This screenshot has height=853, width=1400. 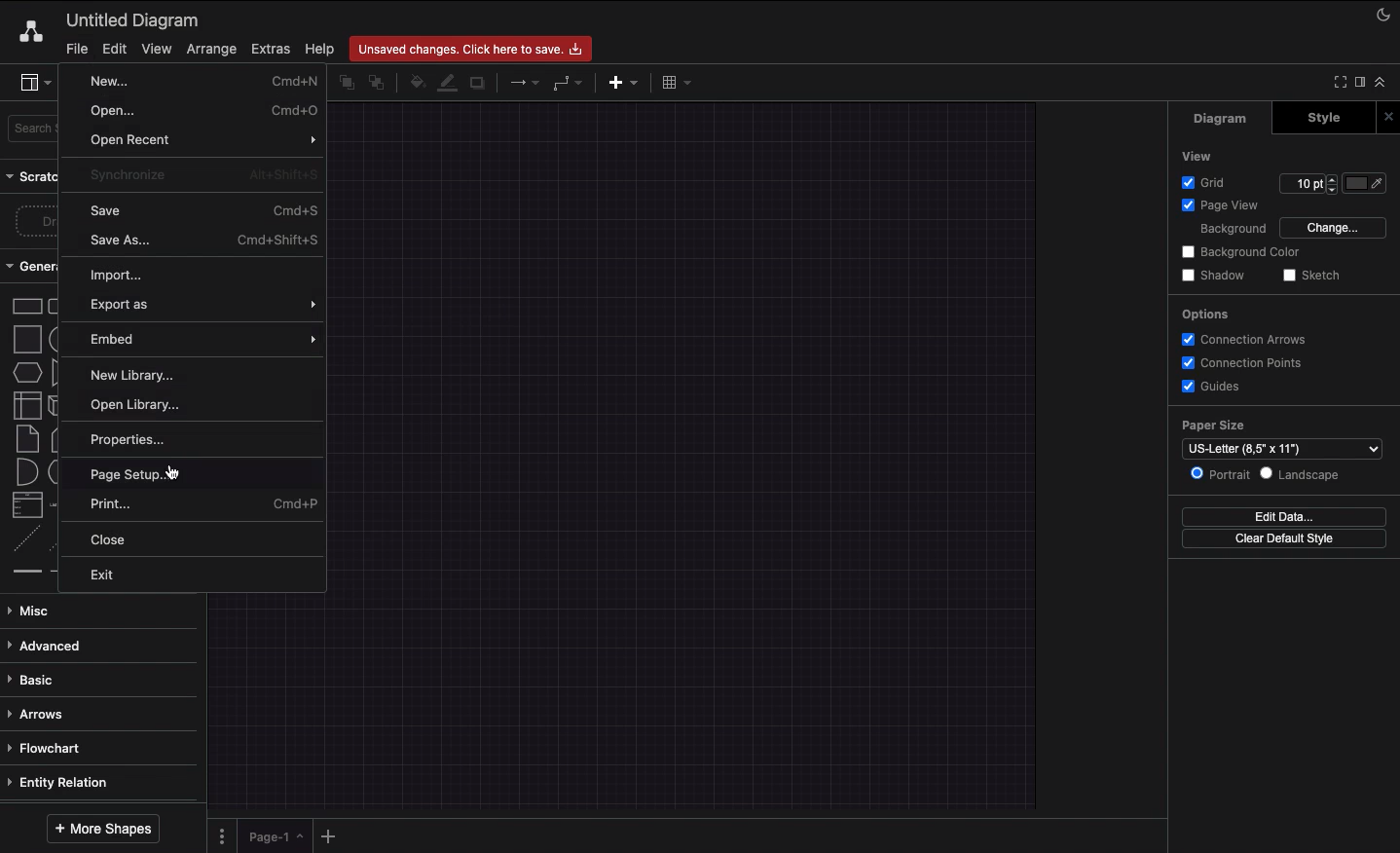 I want to click on List, so click(x=25, y=505).